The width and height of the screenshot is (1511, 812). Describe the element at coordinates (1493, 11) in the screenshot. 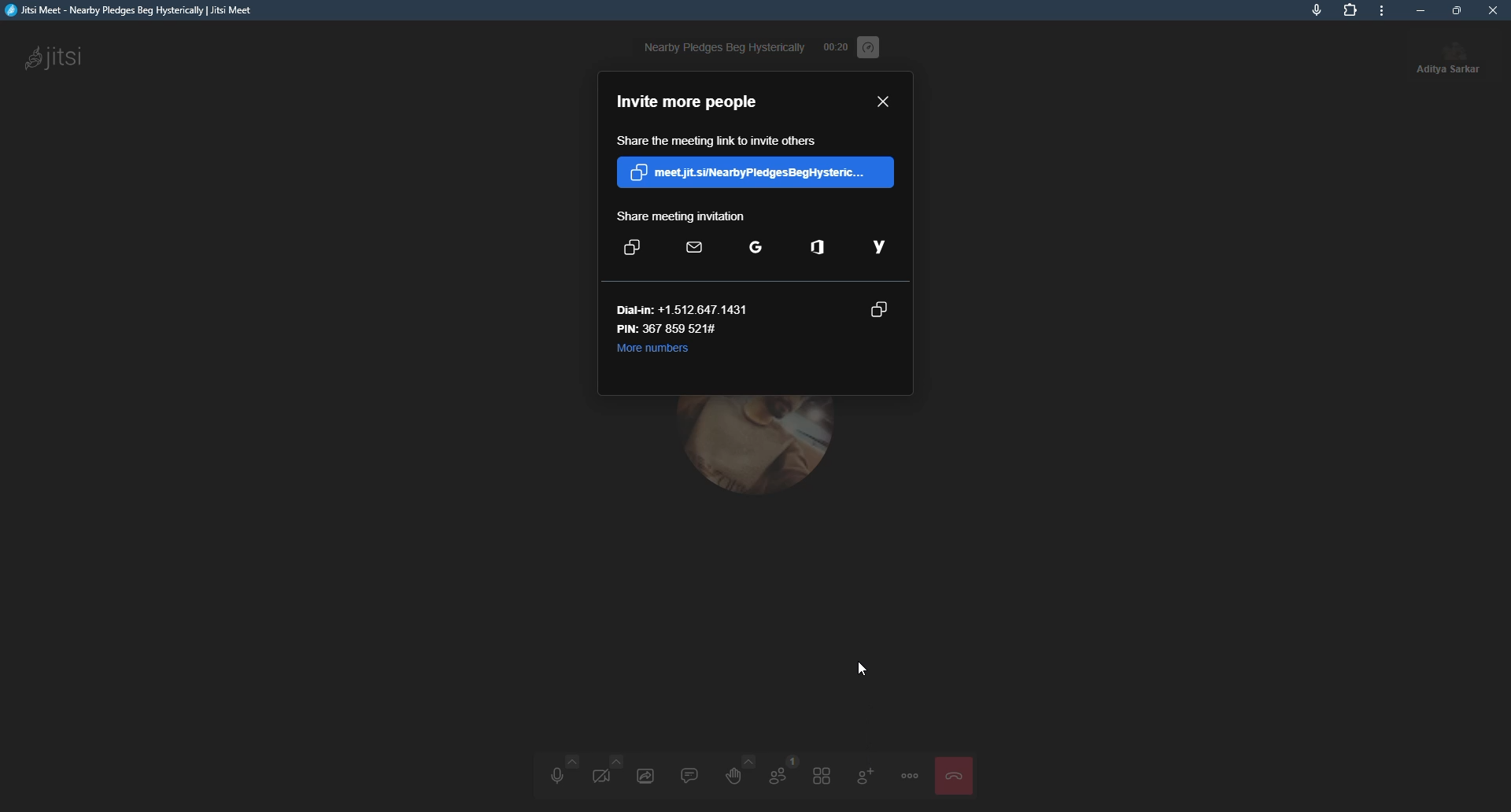

I see `close` at that location.